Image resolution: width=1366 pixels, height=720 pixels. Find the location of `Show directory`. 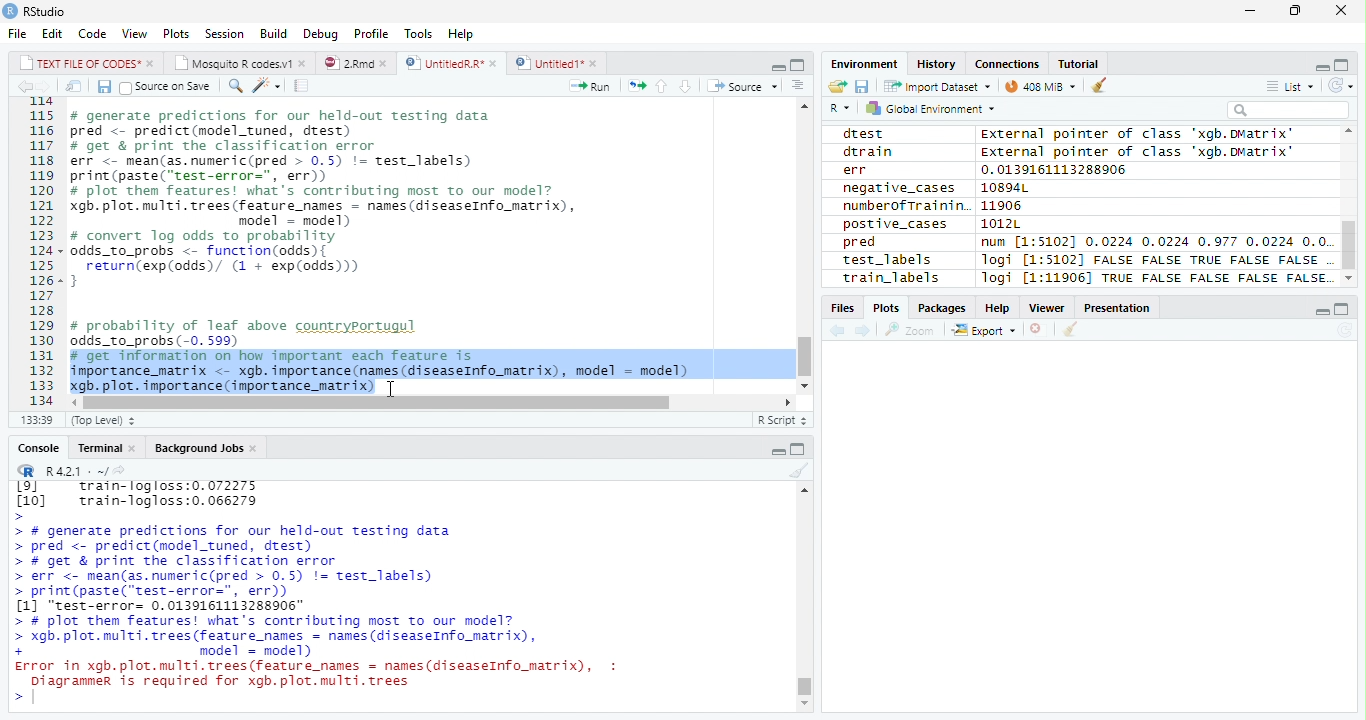

Show directory is located at coordinates (119, 469).